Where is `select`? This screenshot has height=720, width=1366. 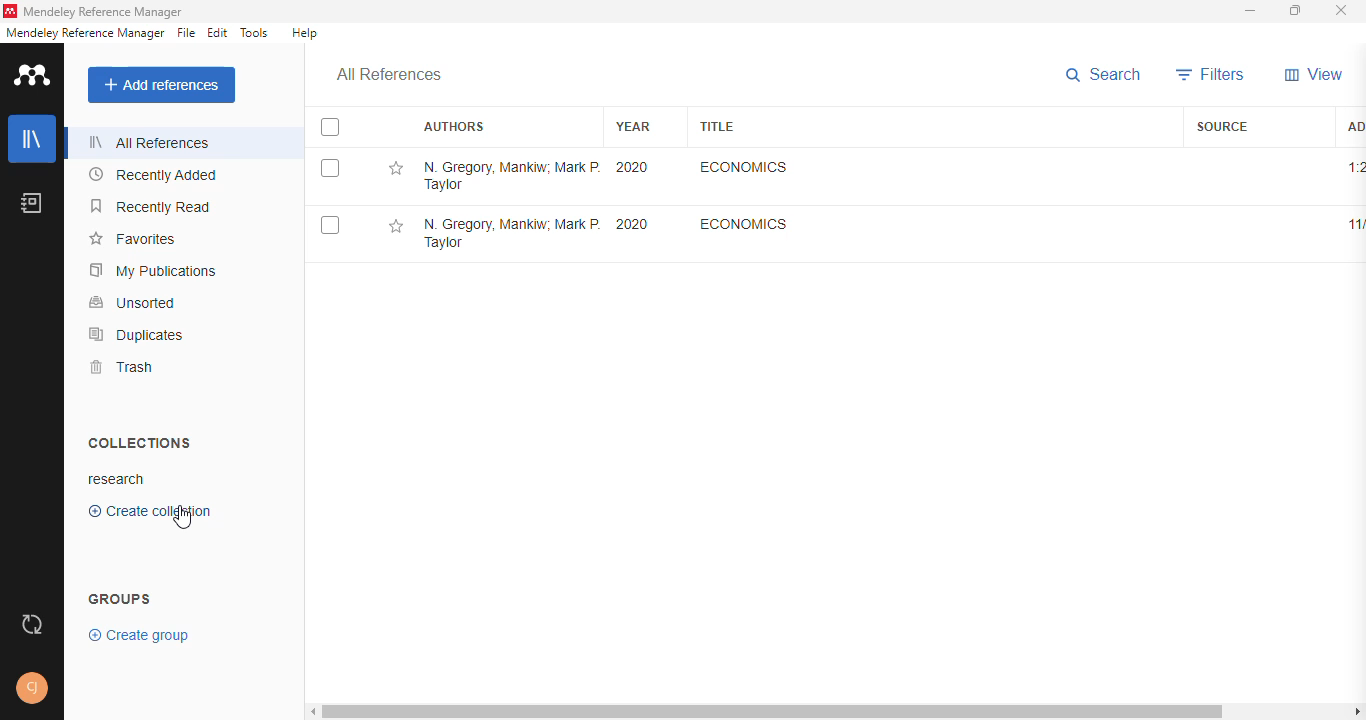 select is located at coordinates (330, 226).